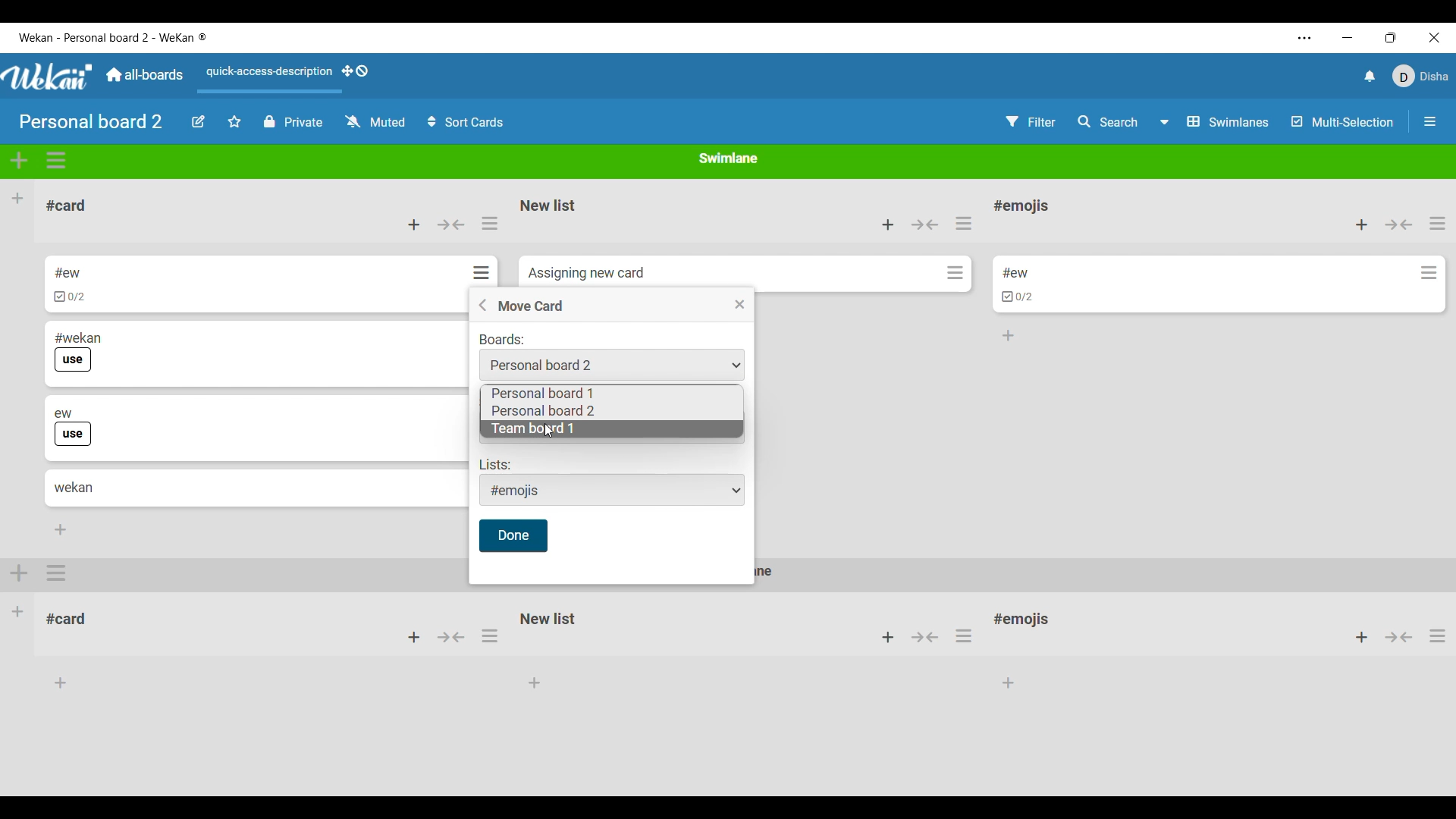  Describe the element at coordinates (1348, 38) in the screenshot. I see `Minimize` at that location.